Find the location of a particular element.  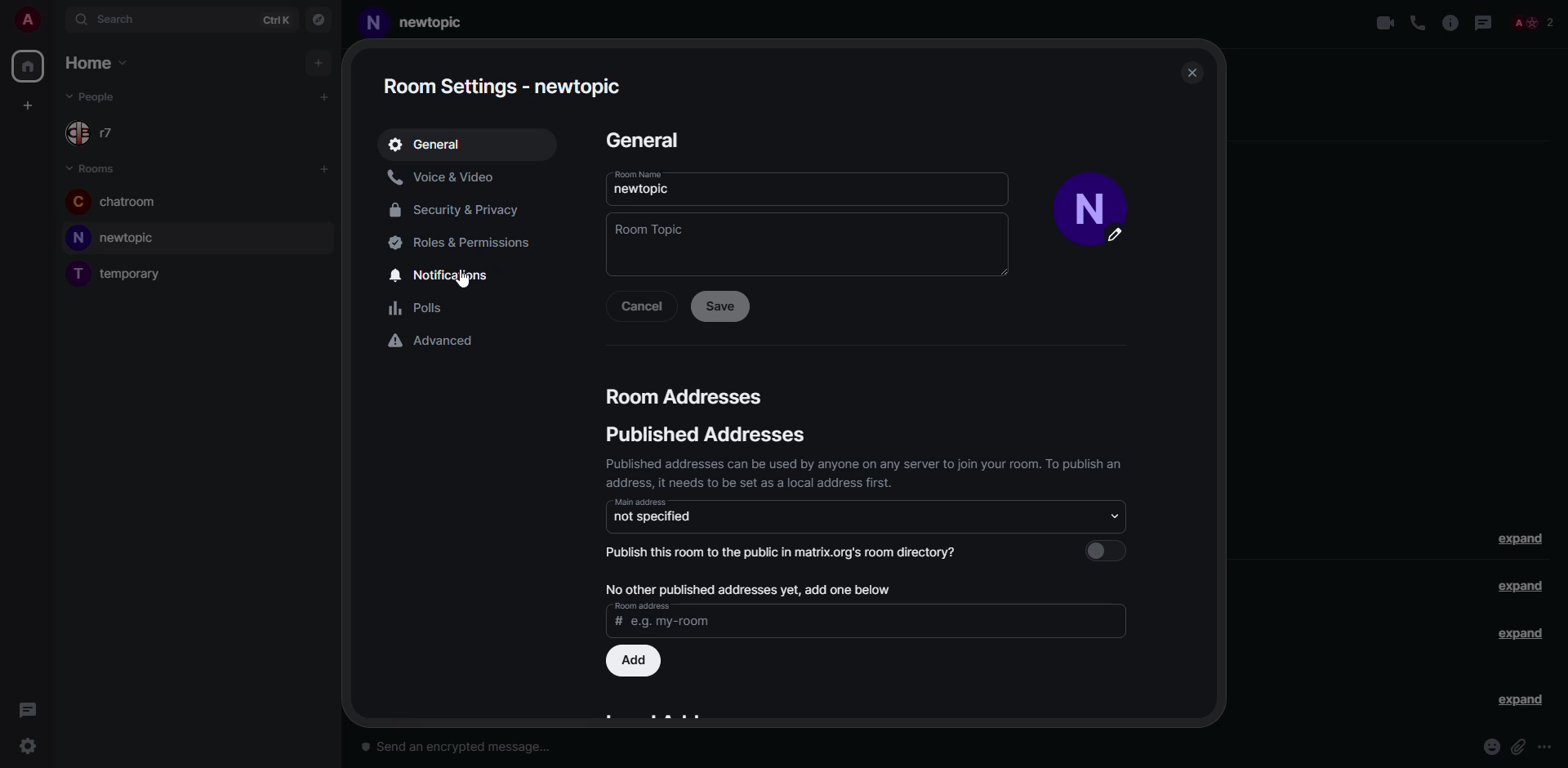

people is located at coordinates (101, 97).